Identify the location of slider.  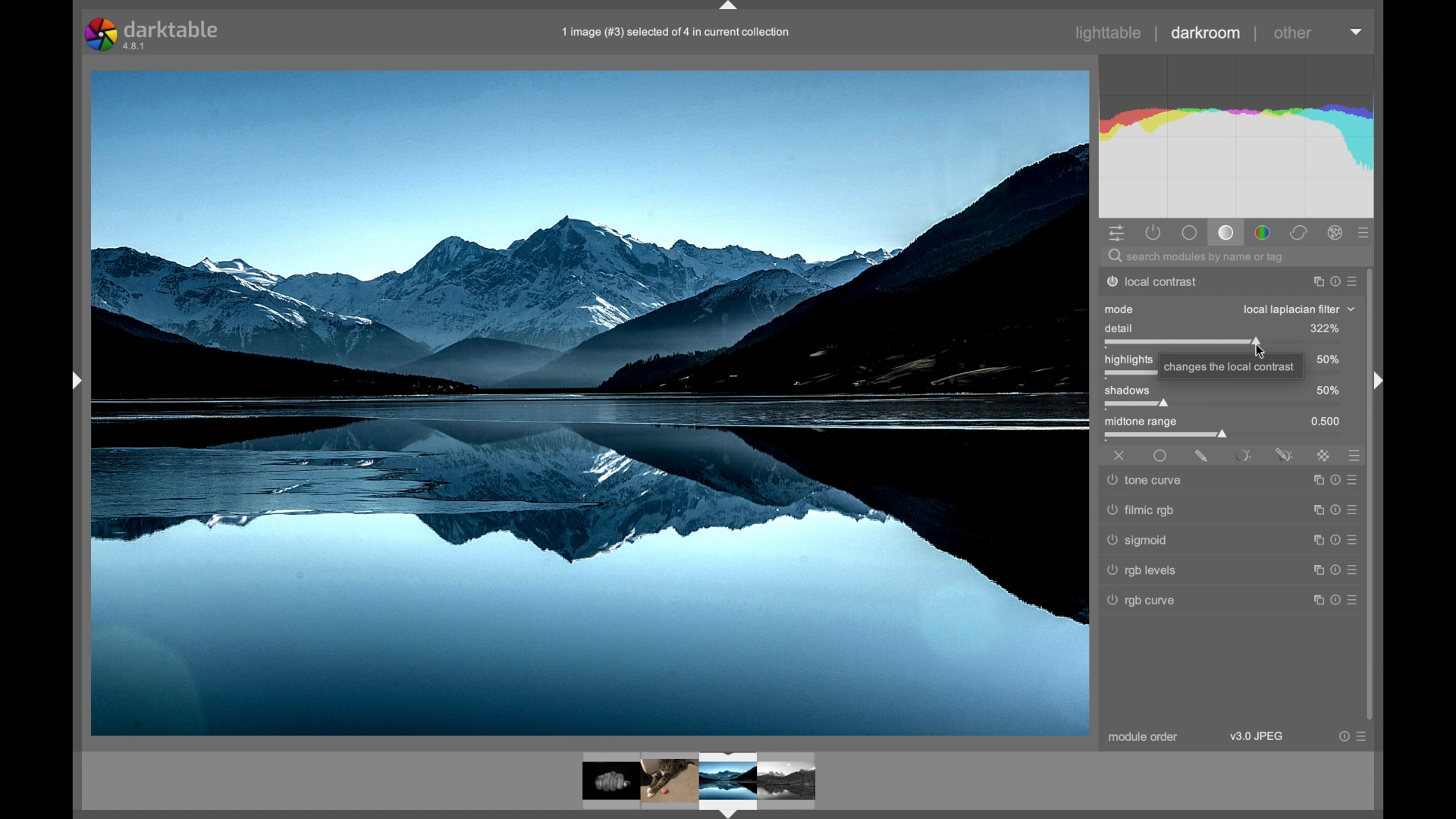
(1128, 374).